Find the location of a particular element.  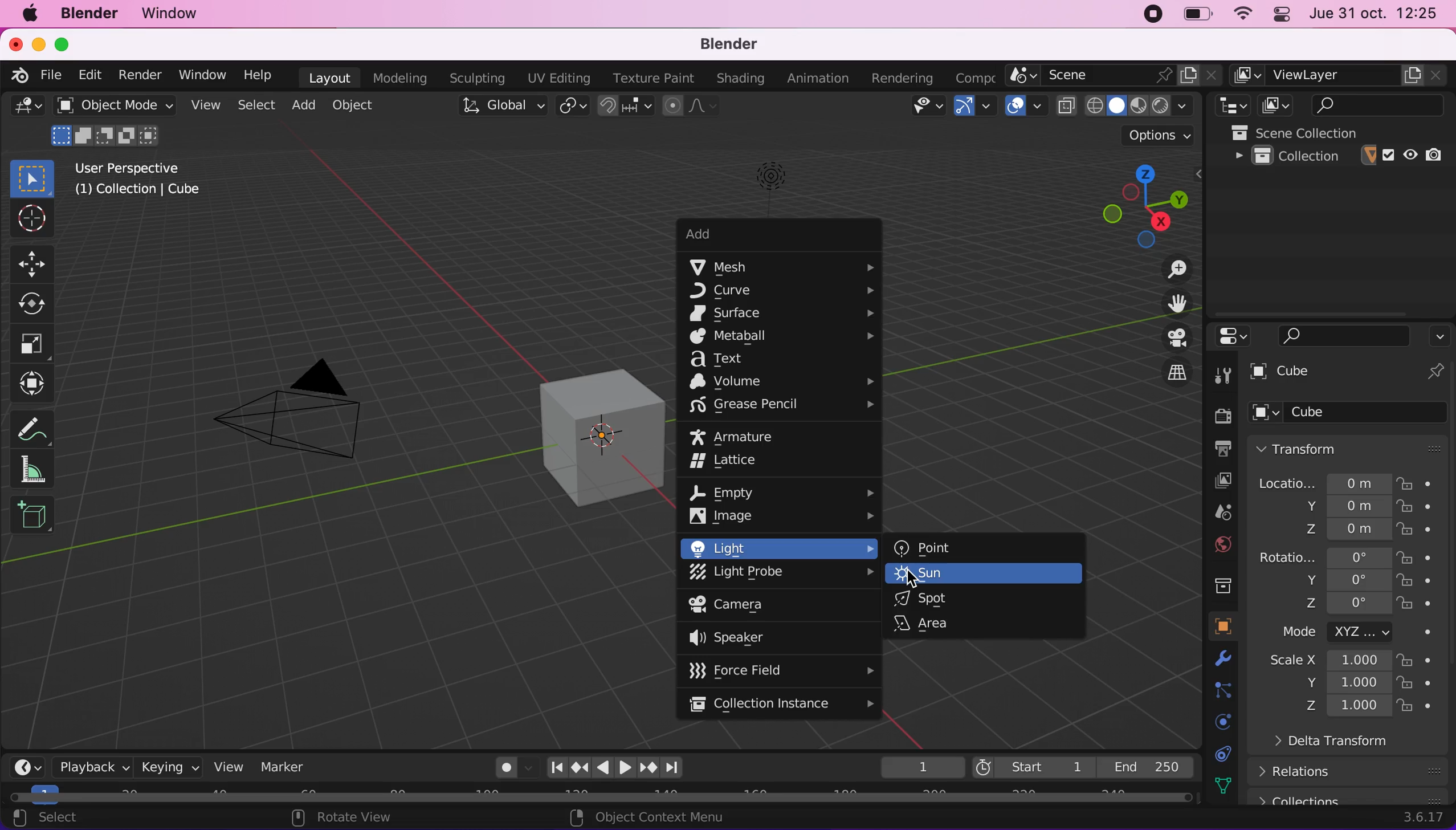

y 0 is located at coordinates (1344, 580).